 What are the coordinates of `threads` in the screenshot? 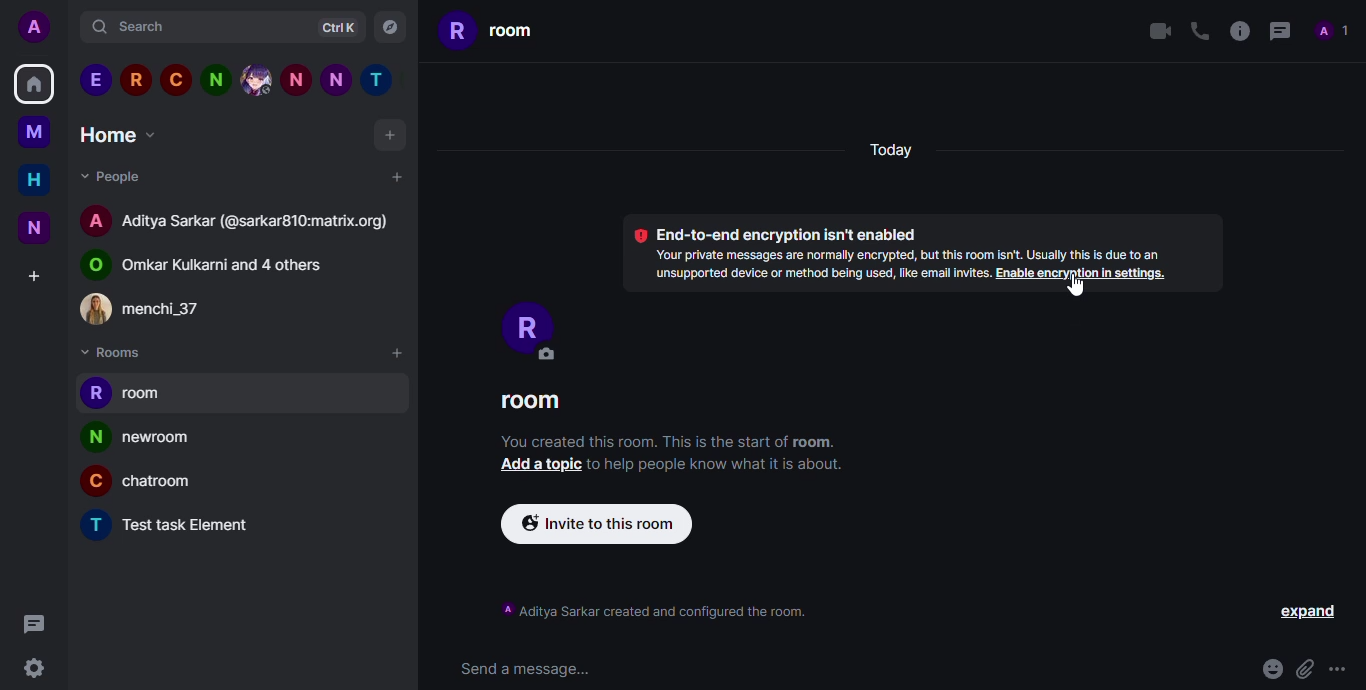 It's located at (35, 624).